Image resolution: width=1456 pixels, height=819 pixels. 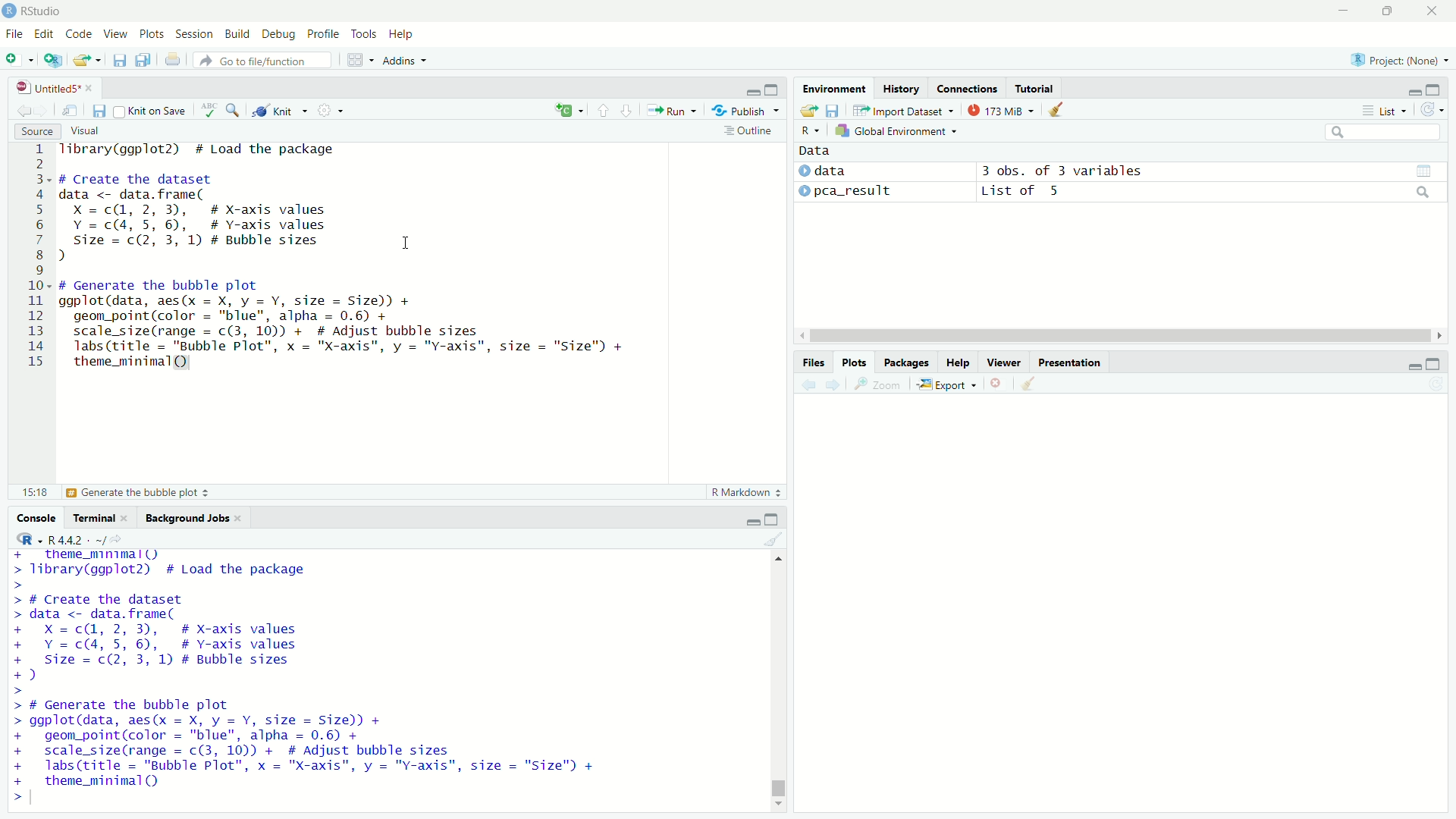 I want to click on remove current plot, so click(x=998, y=384).